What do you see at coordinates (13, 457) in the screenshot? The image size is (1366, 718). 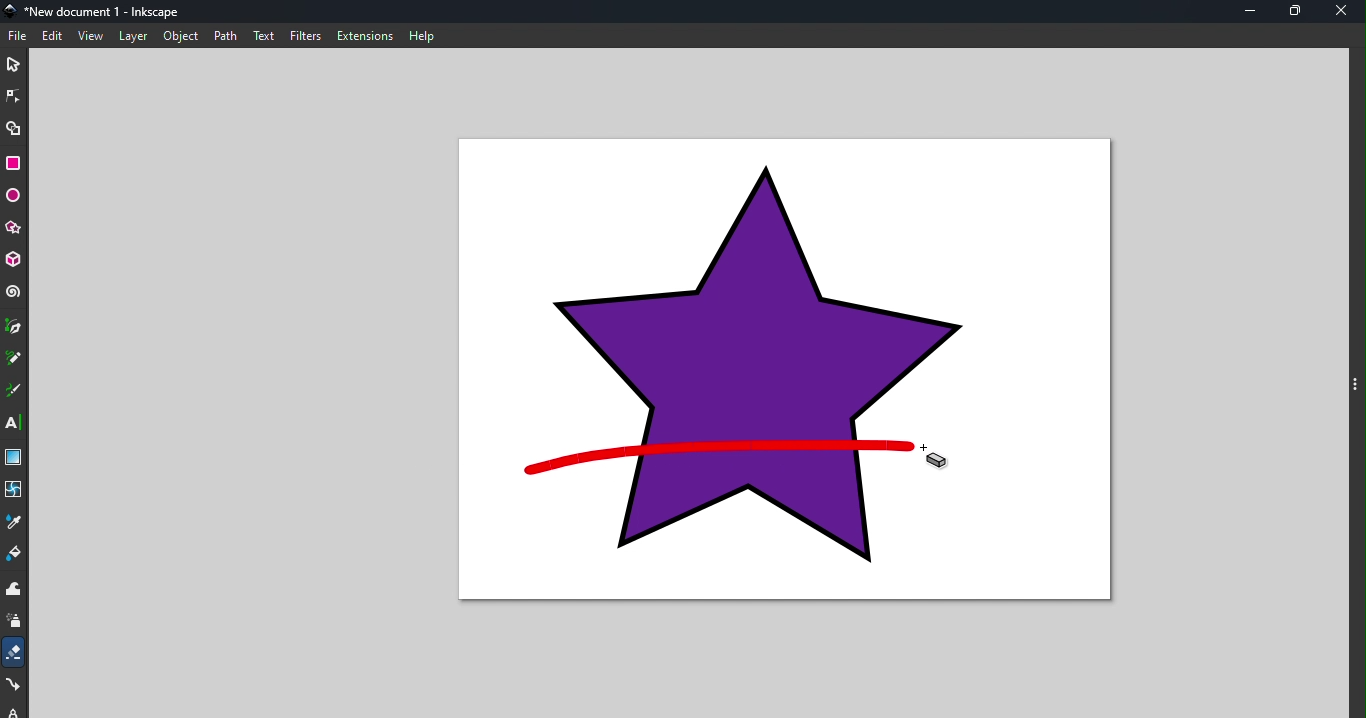 I see `gradient tool` at bounding box center [13, 457].